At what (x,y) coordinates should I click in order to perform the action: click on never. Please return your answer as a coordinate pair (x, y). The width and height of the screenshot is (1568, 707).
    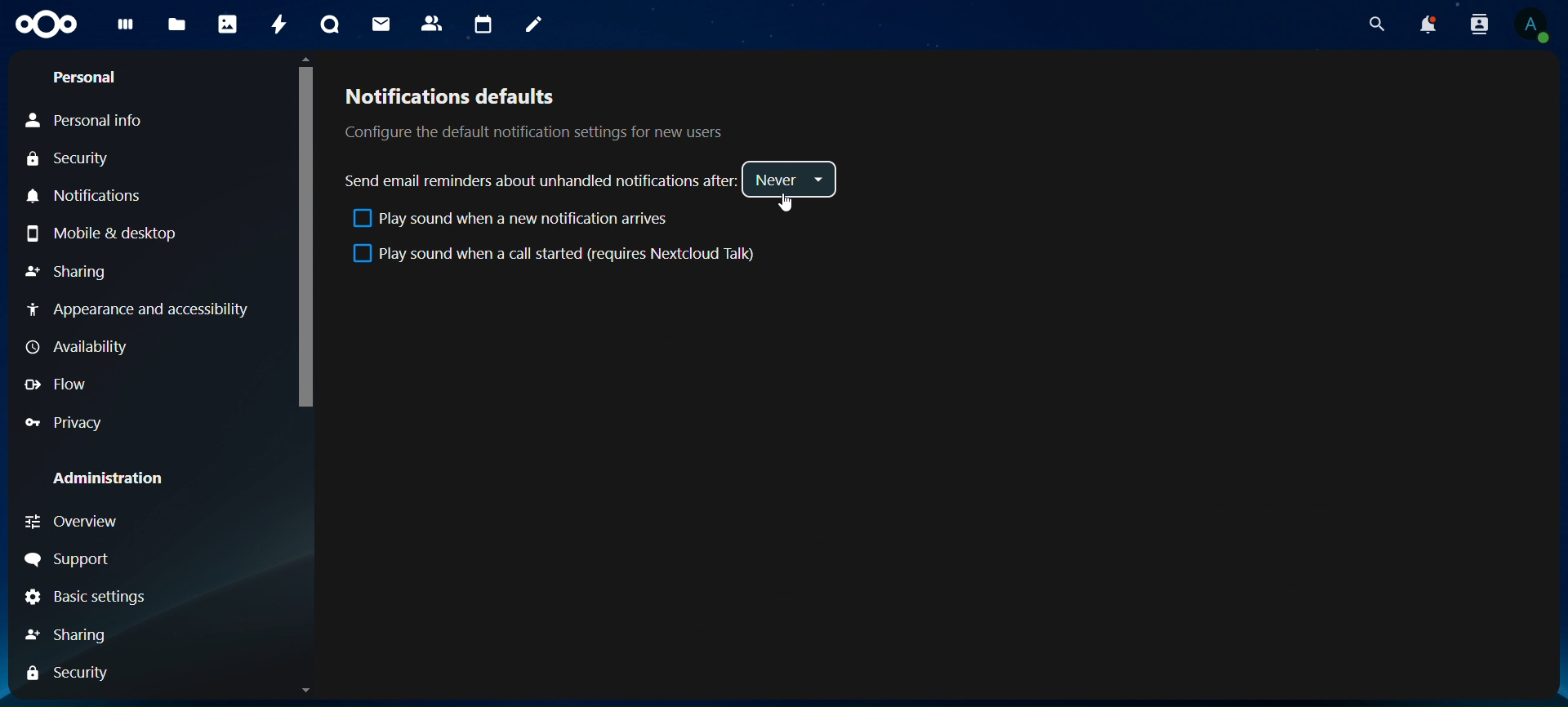
    Looking at the image, I should click on (791, 180).